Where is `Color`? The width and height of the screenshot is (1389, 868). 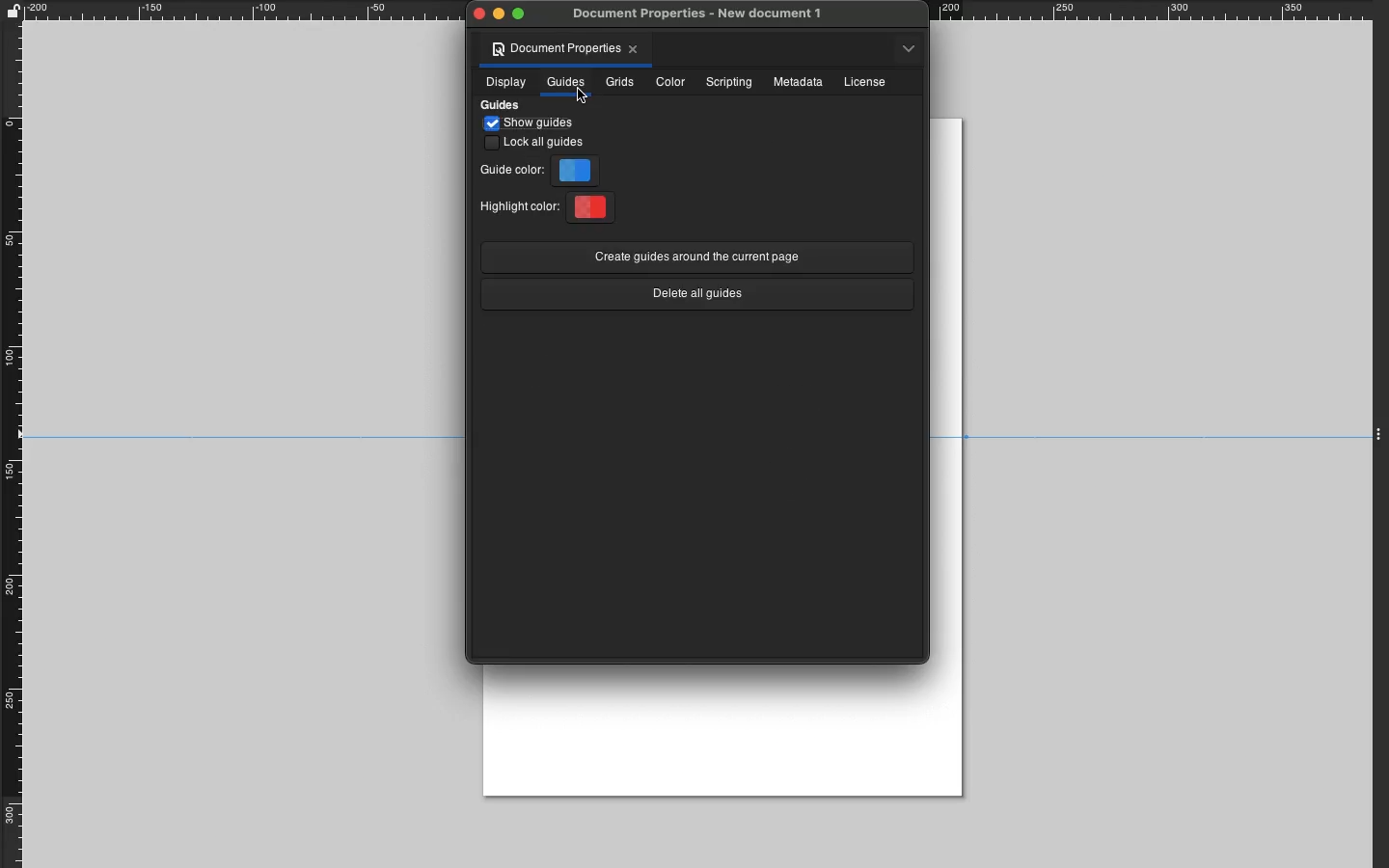
Color is located at coordinates (596, 206).